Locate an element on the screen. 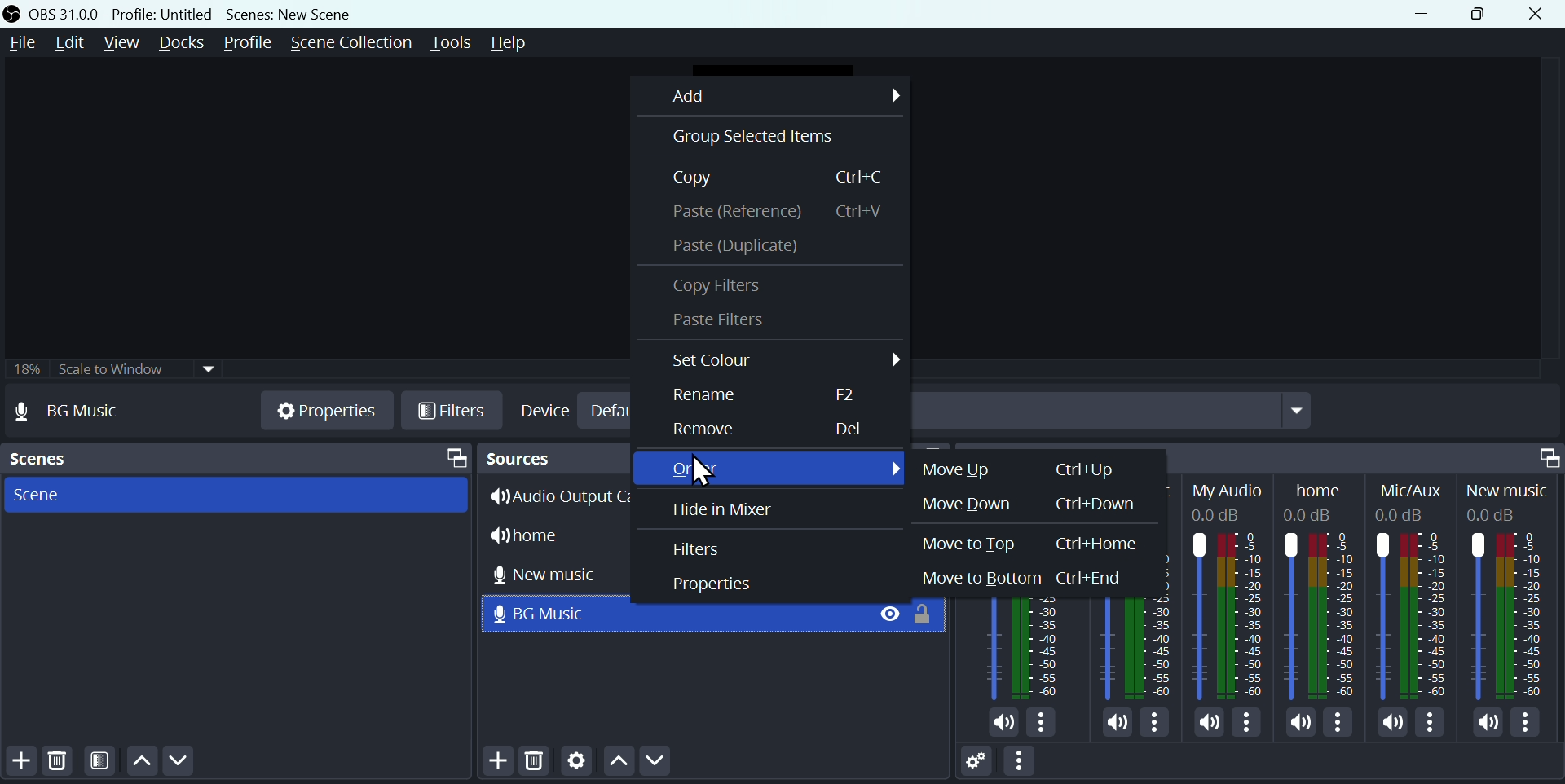  More is located at coordinates (1153, 719).